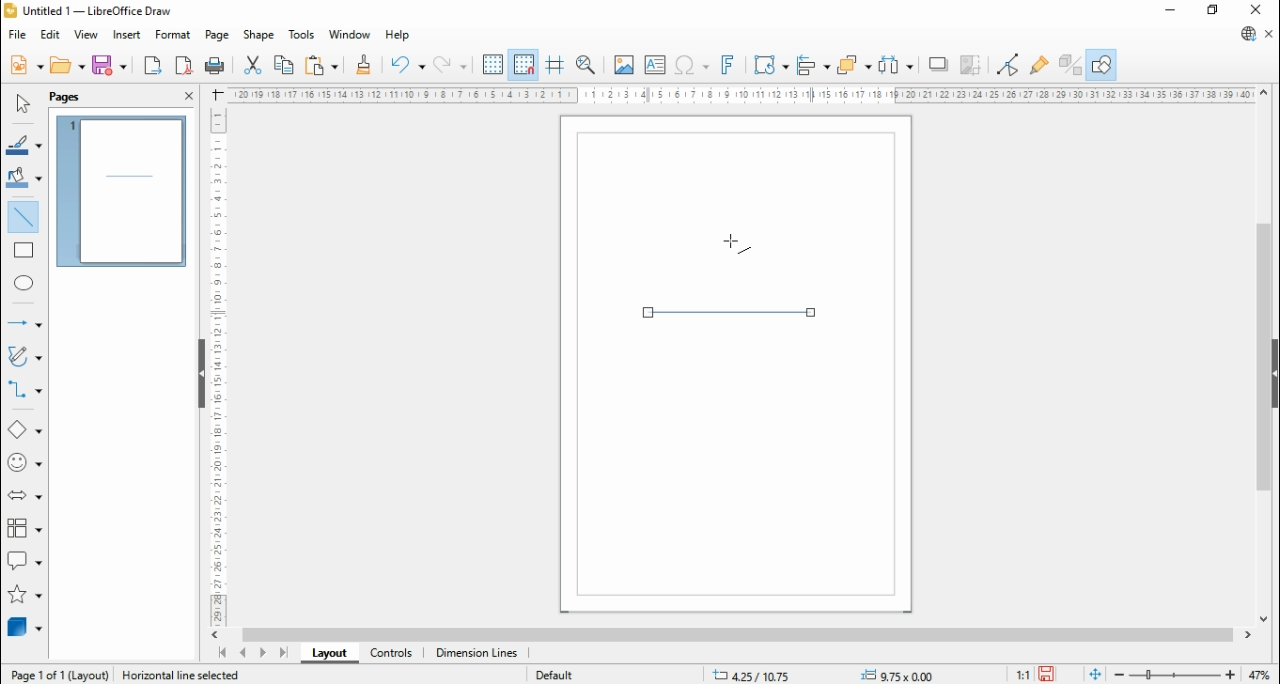 This screenshot has height=684, width=1280. What do you see at coordinates (738, 94) in the screenshot?
I see `Scale` at bounding box center [738, 94].